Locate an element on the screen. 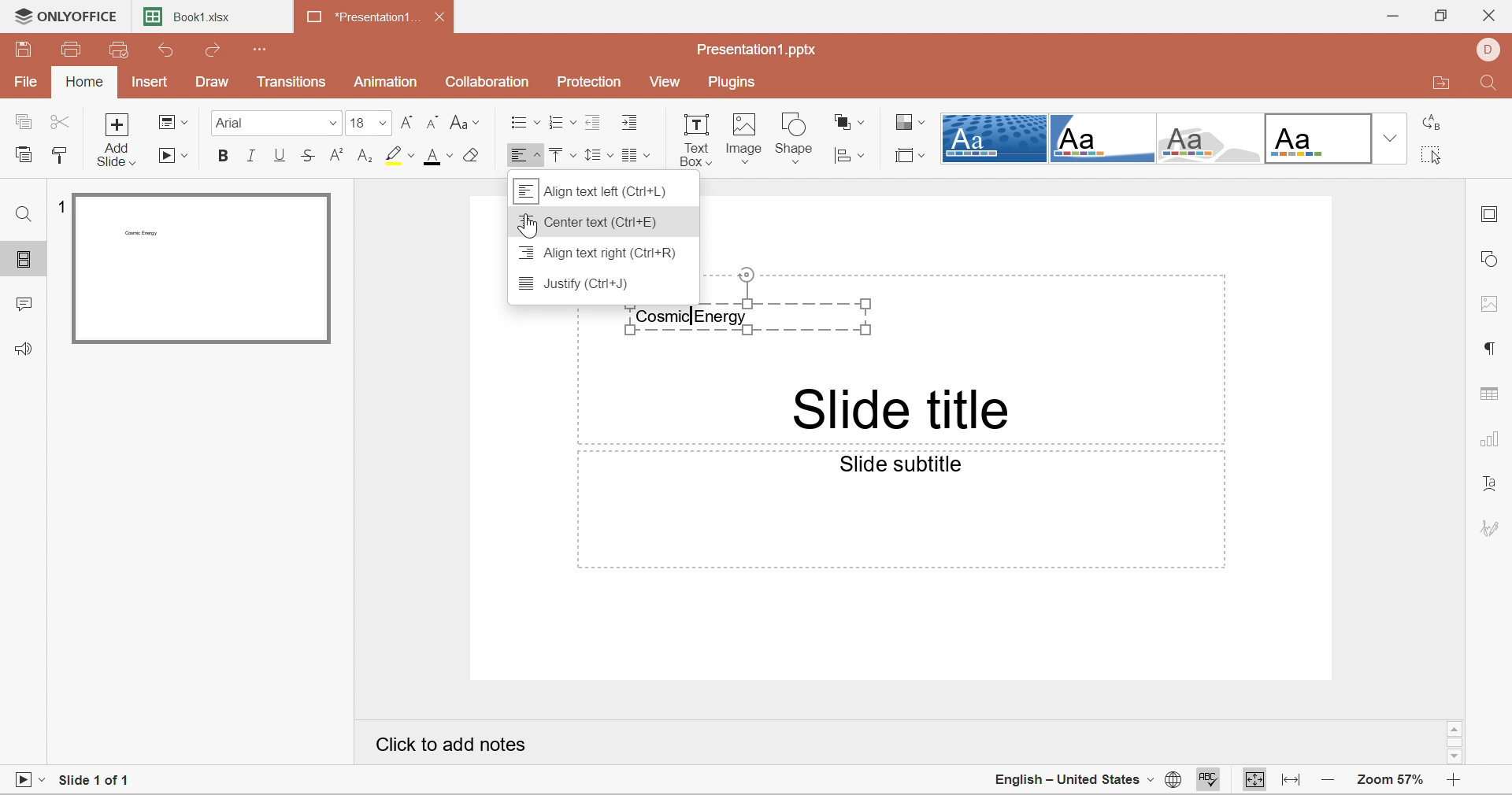 The height and width of the screenshot is (795, 1512). Paste is located at coordinates (26, 156).